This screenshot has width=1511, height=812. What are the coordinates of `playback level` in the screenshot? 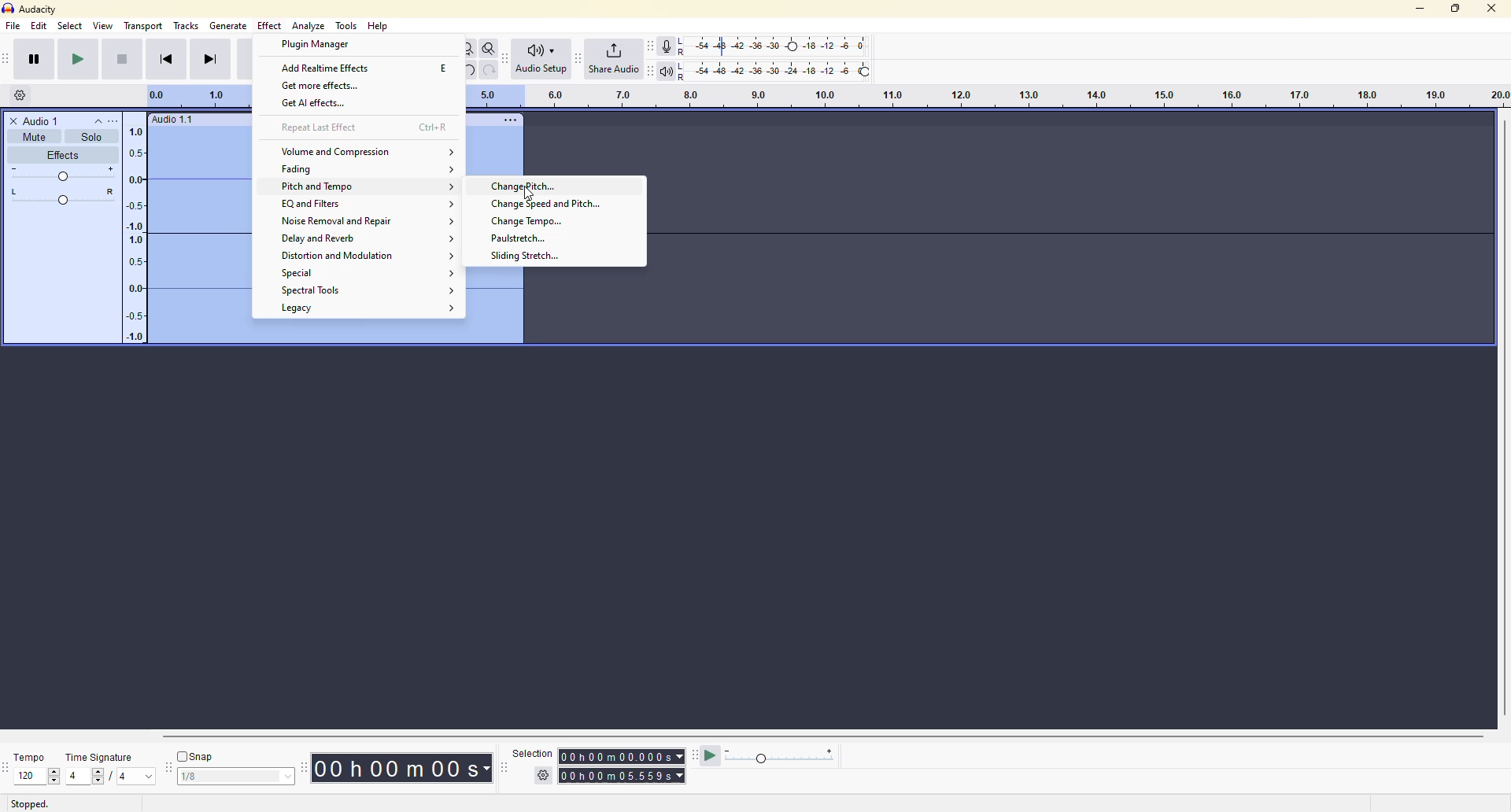 It's located at (773, 69).